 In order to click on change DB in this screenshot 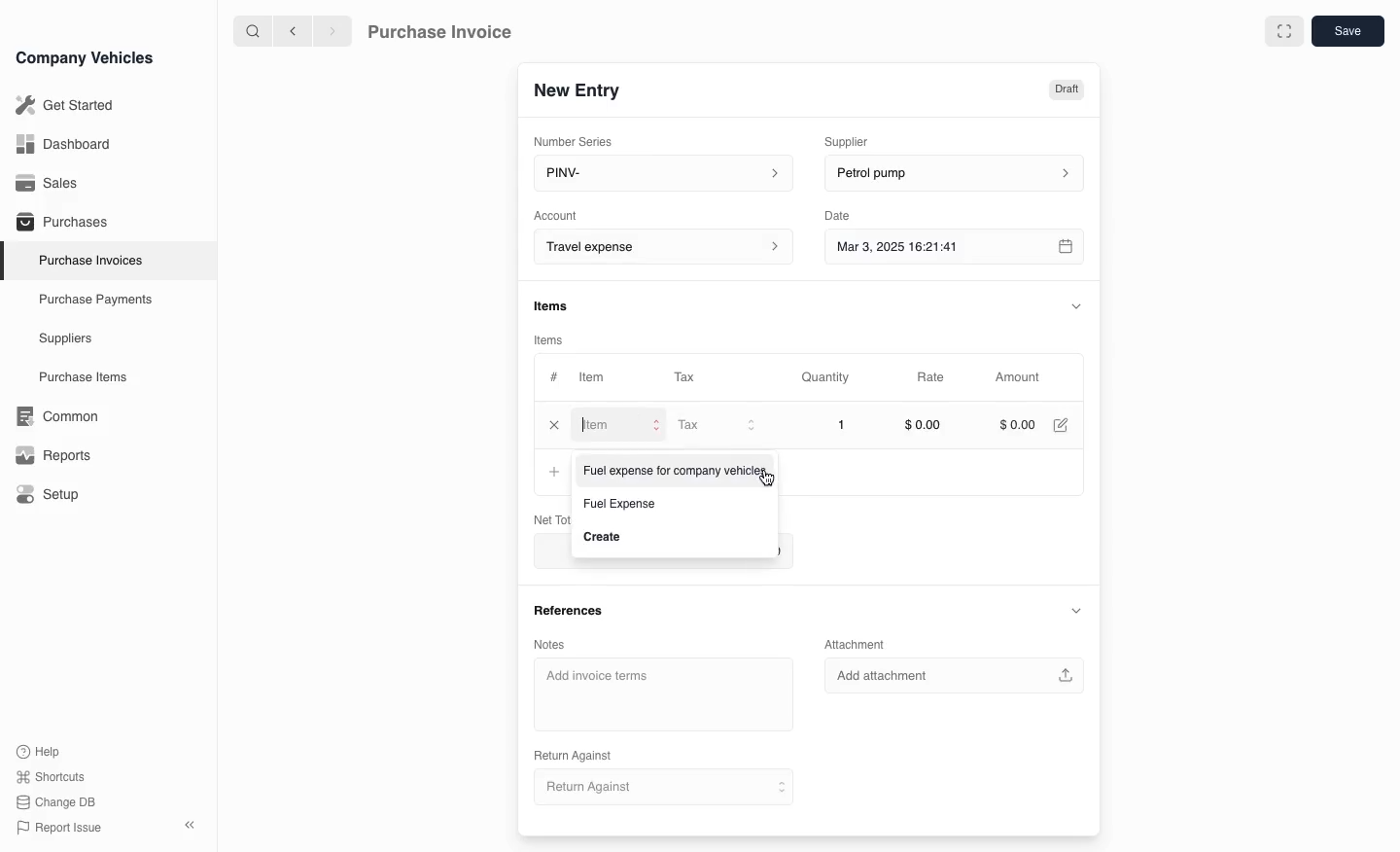, I will do `click(58, 802)`.